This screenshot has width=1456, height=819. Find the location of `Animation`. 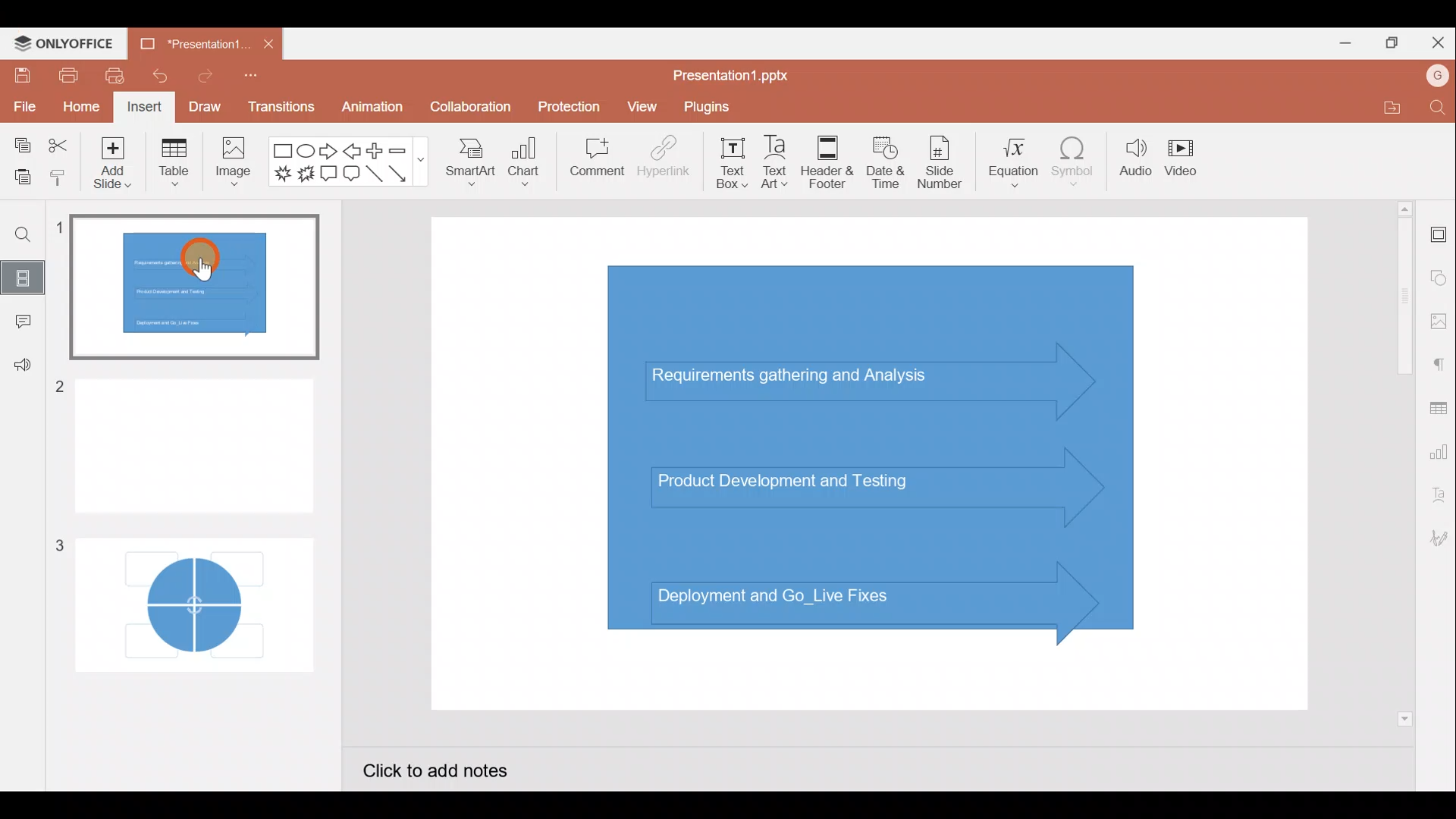

Animation is located at coordinates (369, 106).